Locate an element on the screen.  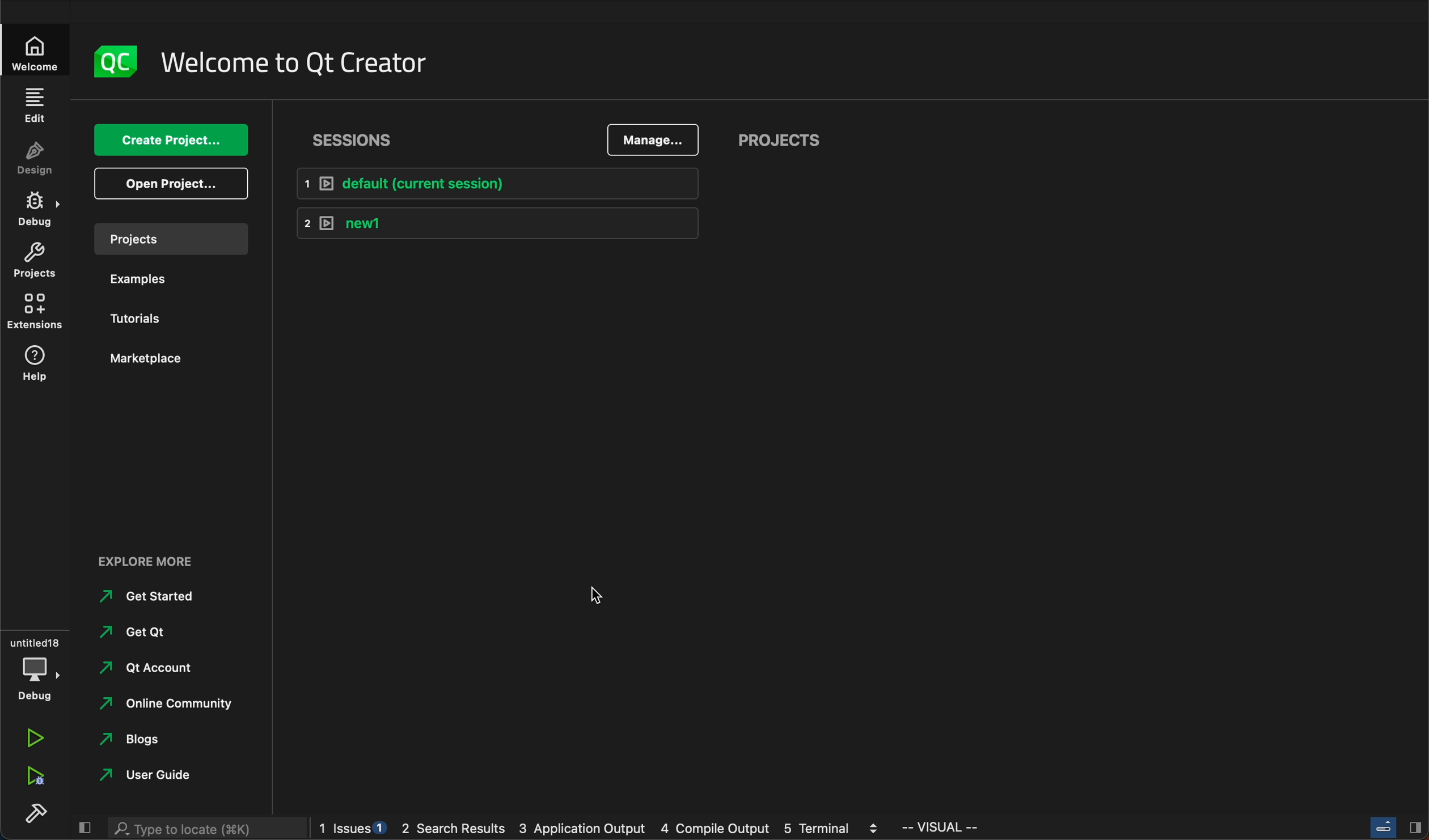
design  is located at coordinates (35, 159).